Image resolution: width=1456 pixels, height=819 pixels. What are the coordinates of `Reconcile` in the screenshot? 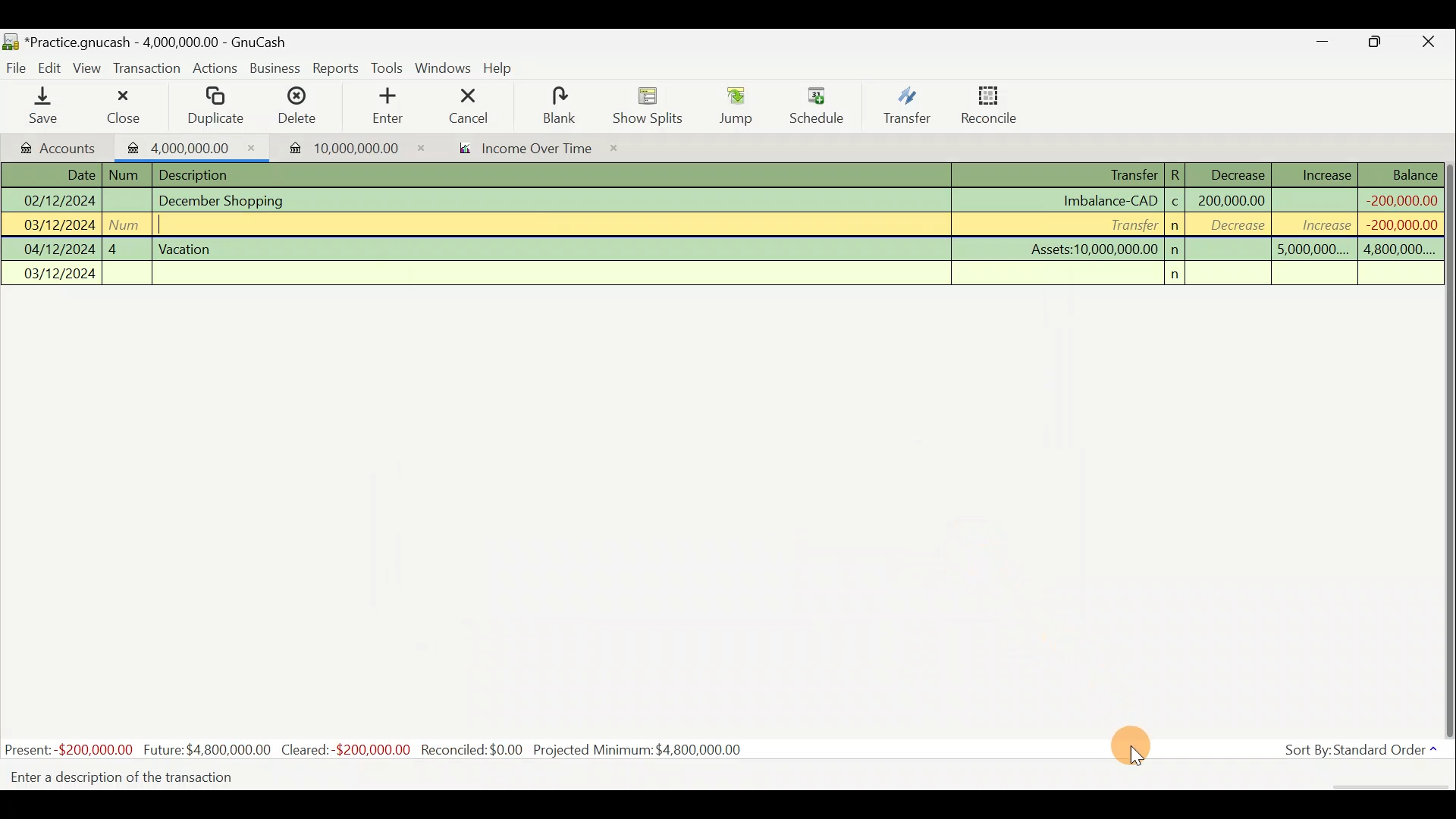 It's located at (984, 105).